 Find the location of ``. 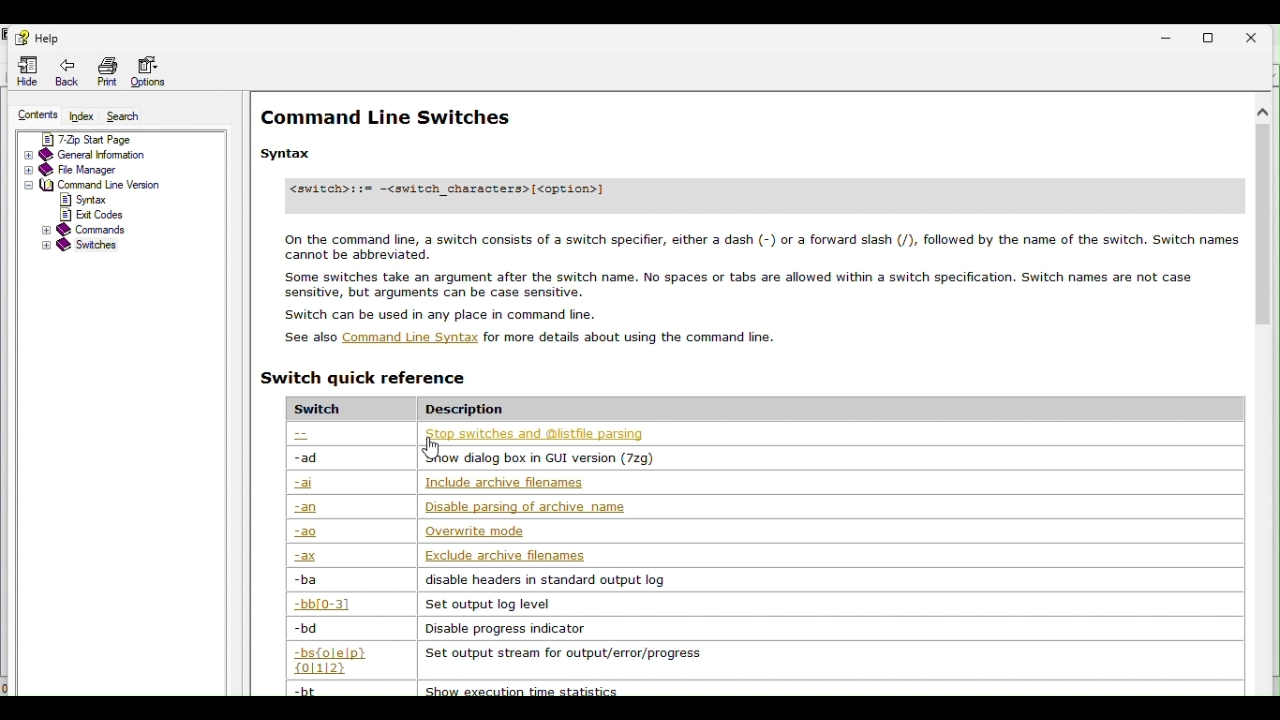

 is located at coordinates (756, 273).